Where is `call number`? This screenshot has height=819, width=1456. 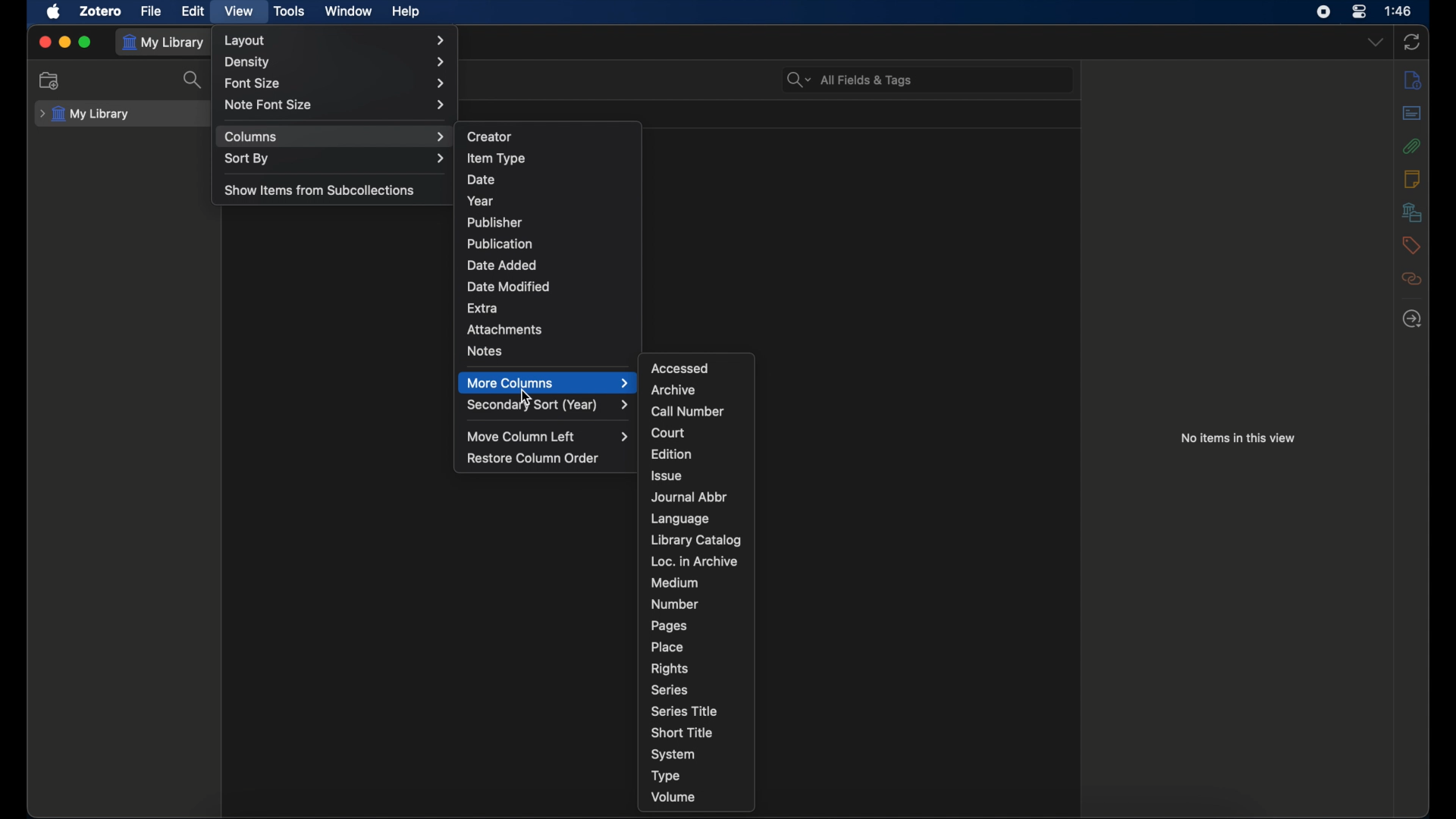 call number is located at coordinates (689, 412).